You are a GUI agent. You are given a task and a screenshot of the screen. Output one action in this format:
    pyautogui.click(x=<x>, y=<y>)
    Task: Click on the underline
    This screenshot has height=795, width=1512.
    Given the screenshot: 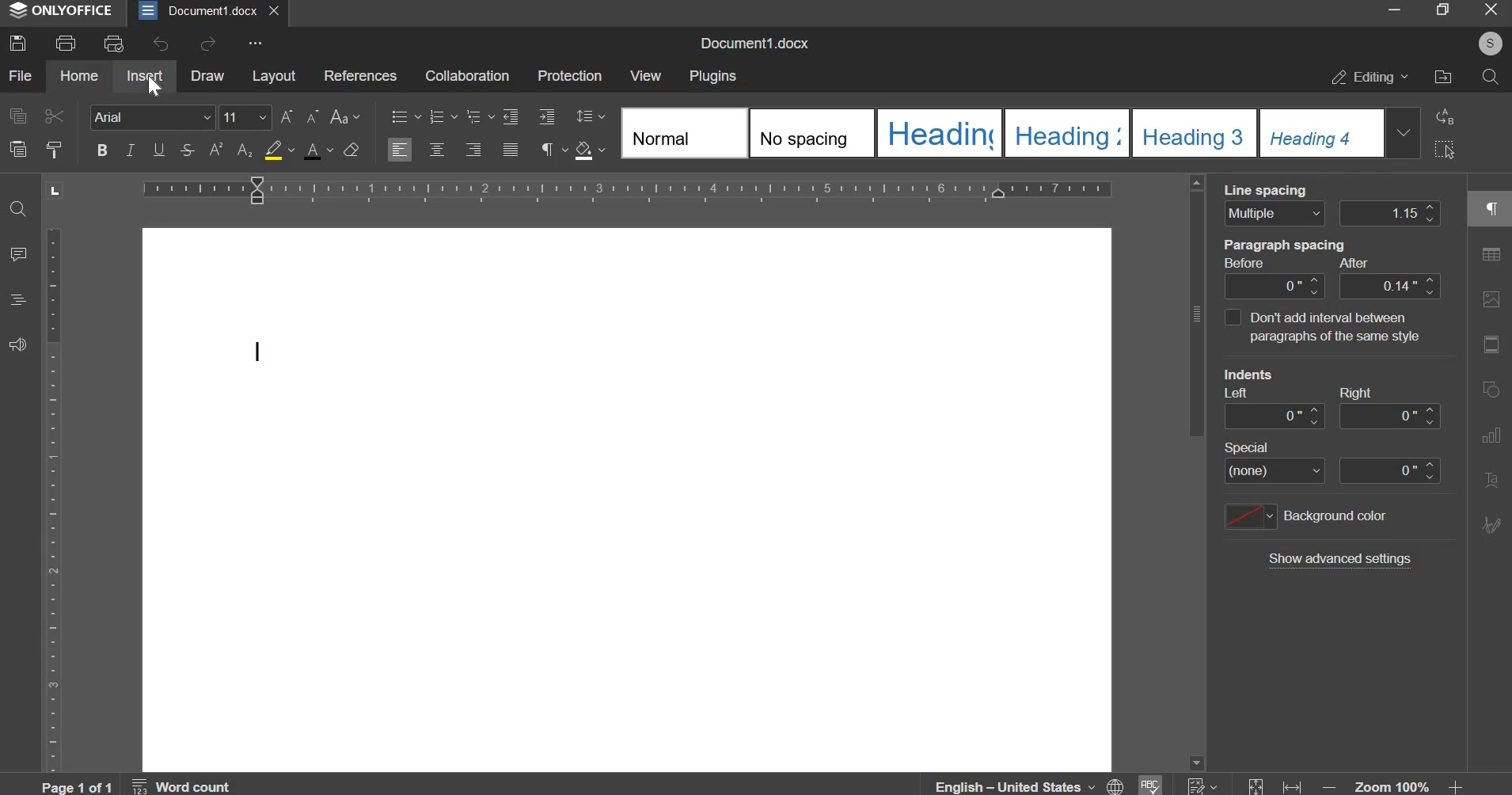 What is the action you would take?
    pyautogui.click(x=159, y=150)
    